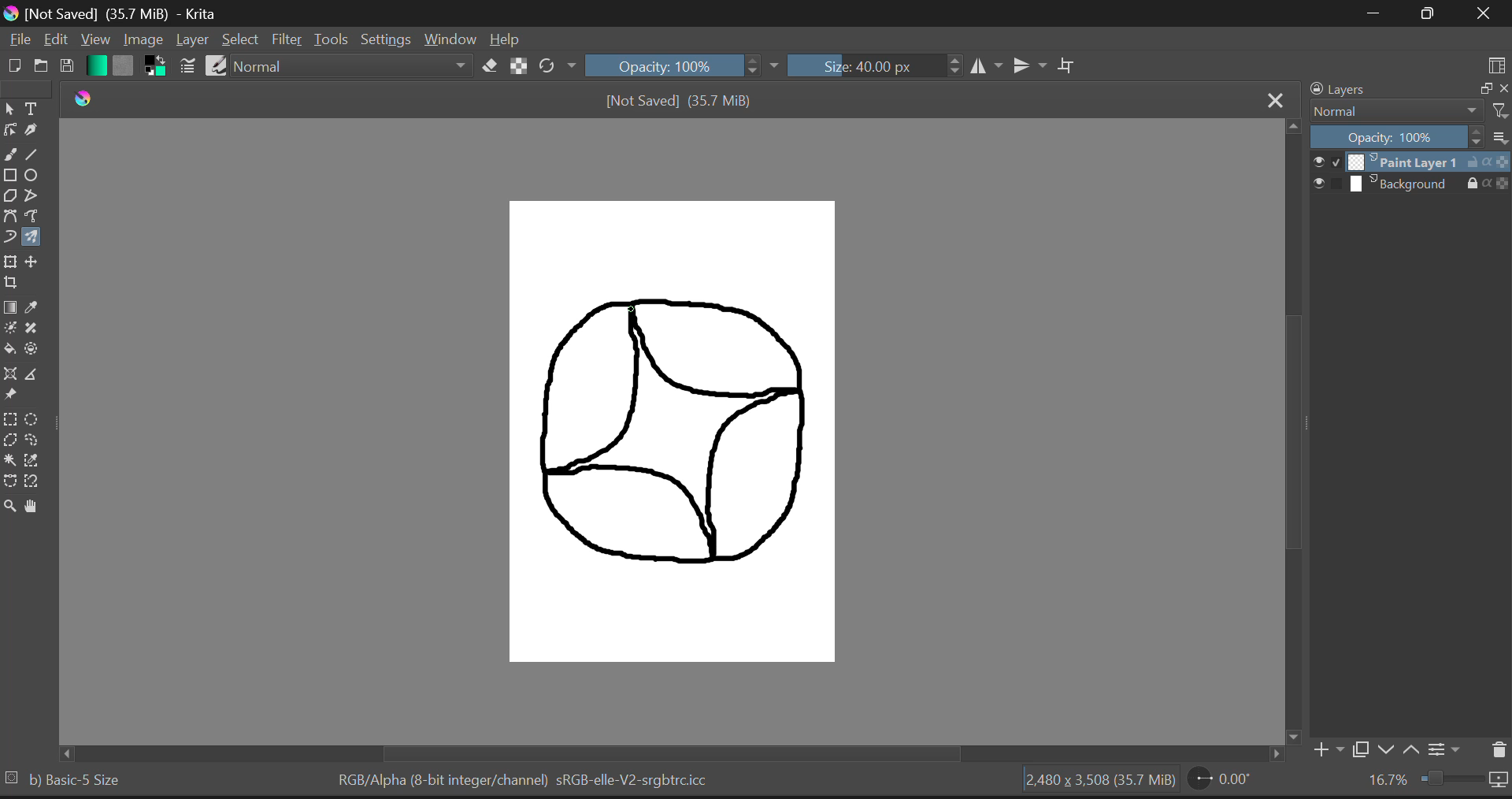  Describe the element at coordinates (187, 65) in the screenshot. I see `Brush Settings` at that location.